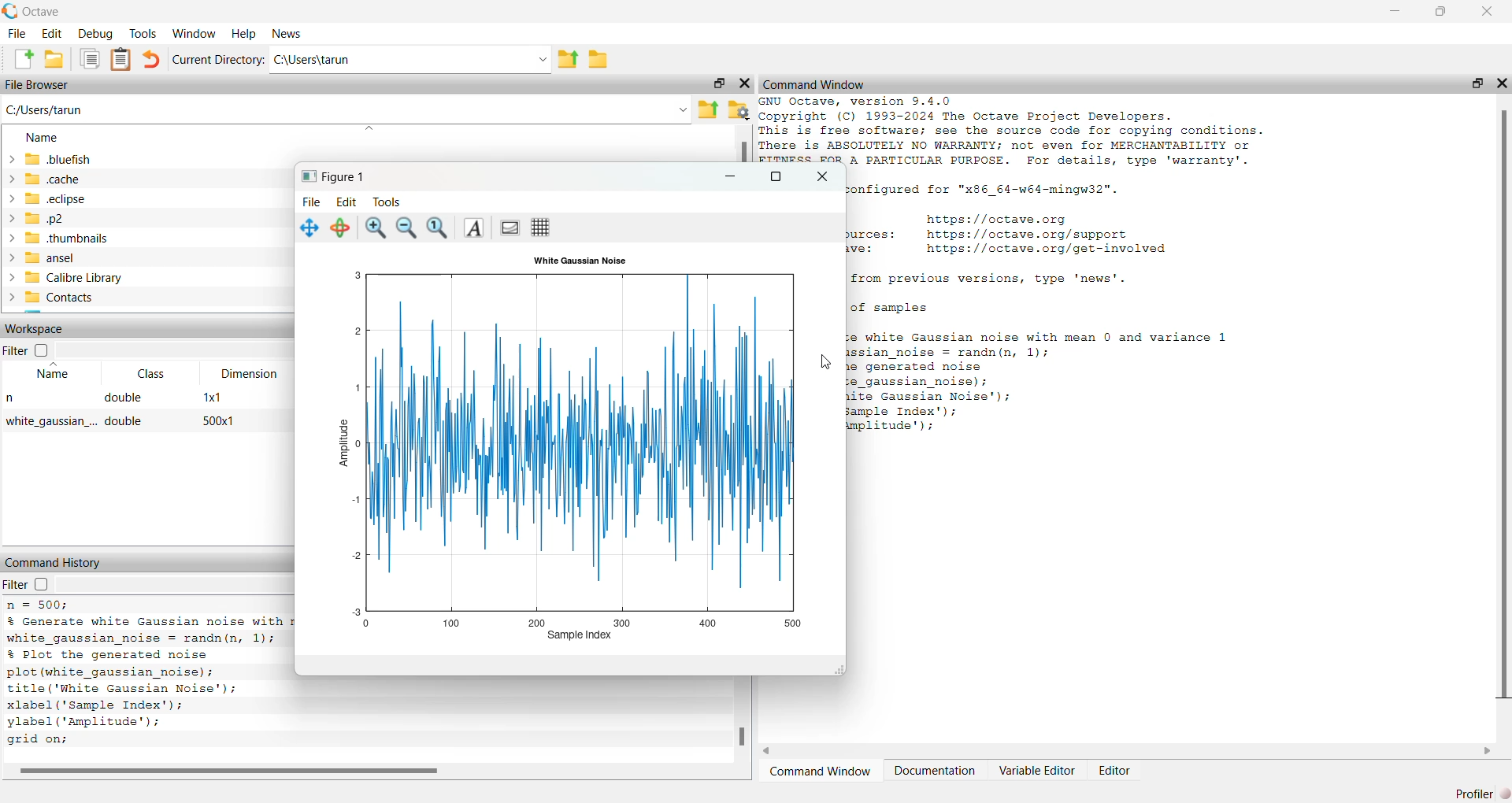  What do you see at coordinates (580, 447) in the screenshot?
I see `graph` at bounding box center [580, 447].